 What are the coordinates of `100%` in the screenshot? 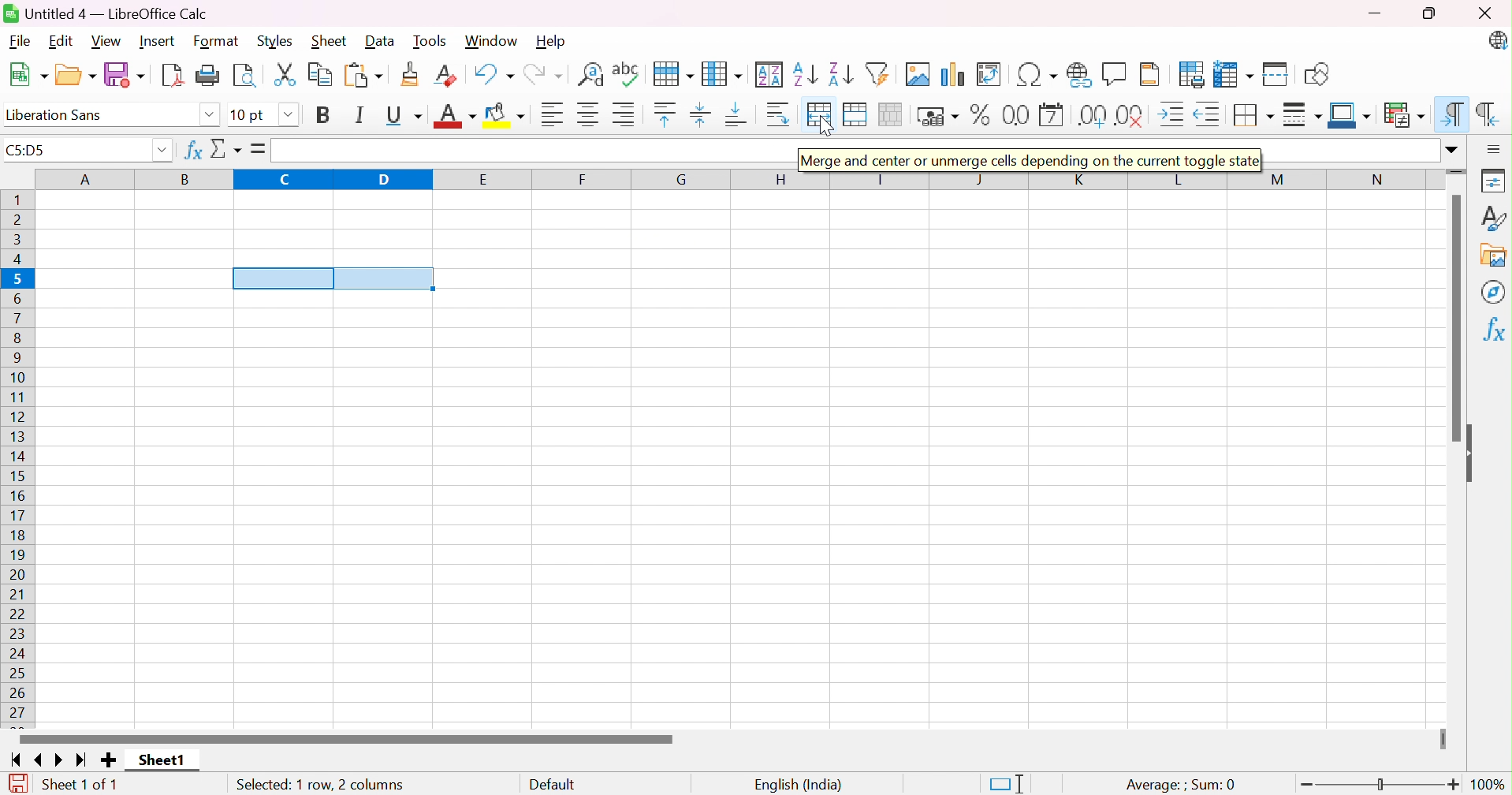 It's located at (1488, 784).